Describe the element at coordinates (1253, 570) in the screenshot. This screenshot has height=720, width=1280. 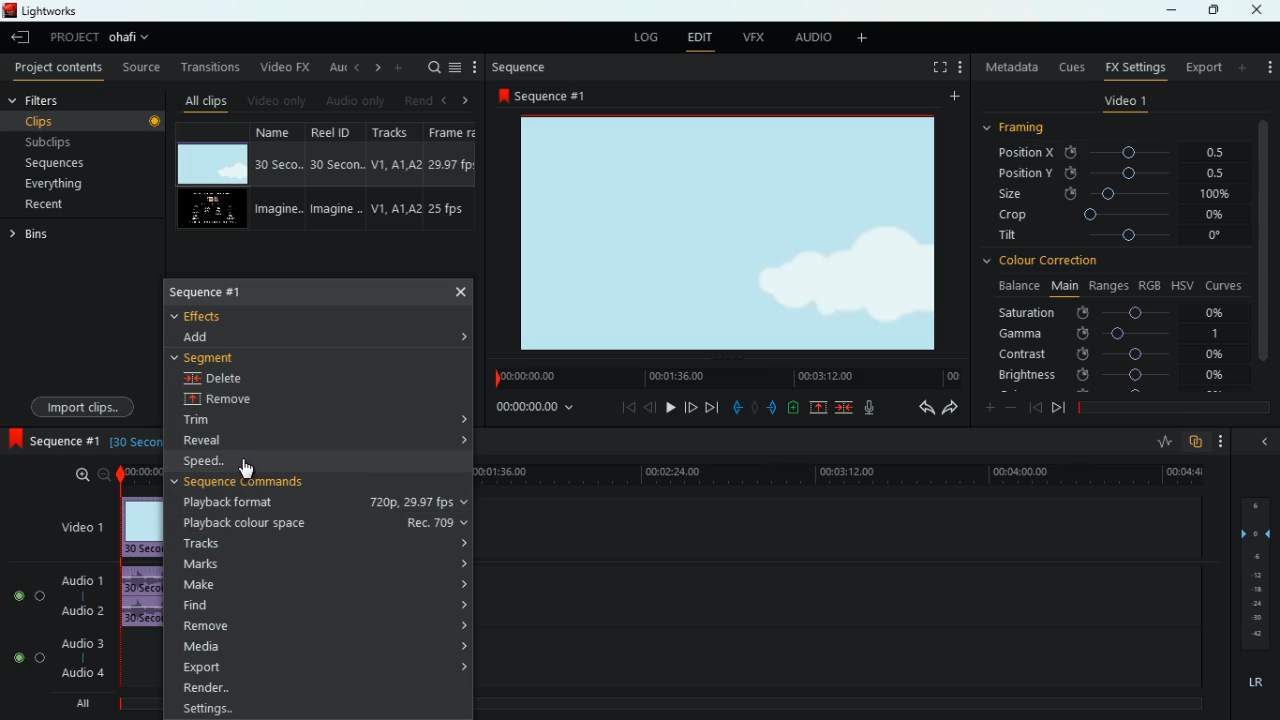
I see `layers` at that location.